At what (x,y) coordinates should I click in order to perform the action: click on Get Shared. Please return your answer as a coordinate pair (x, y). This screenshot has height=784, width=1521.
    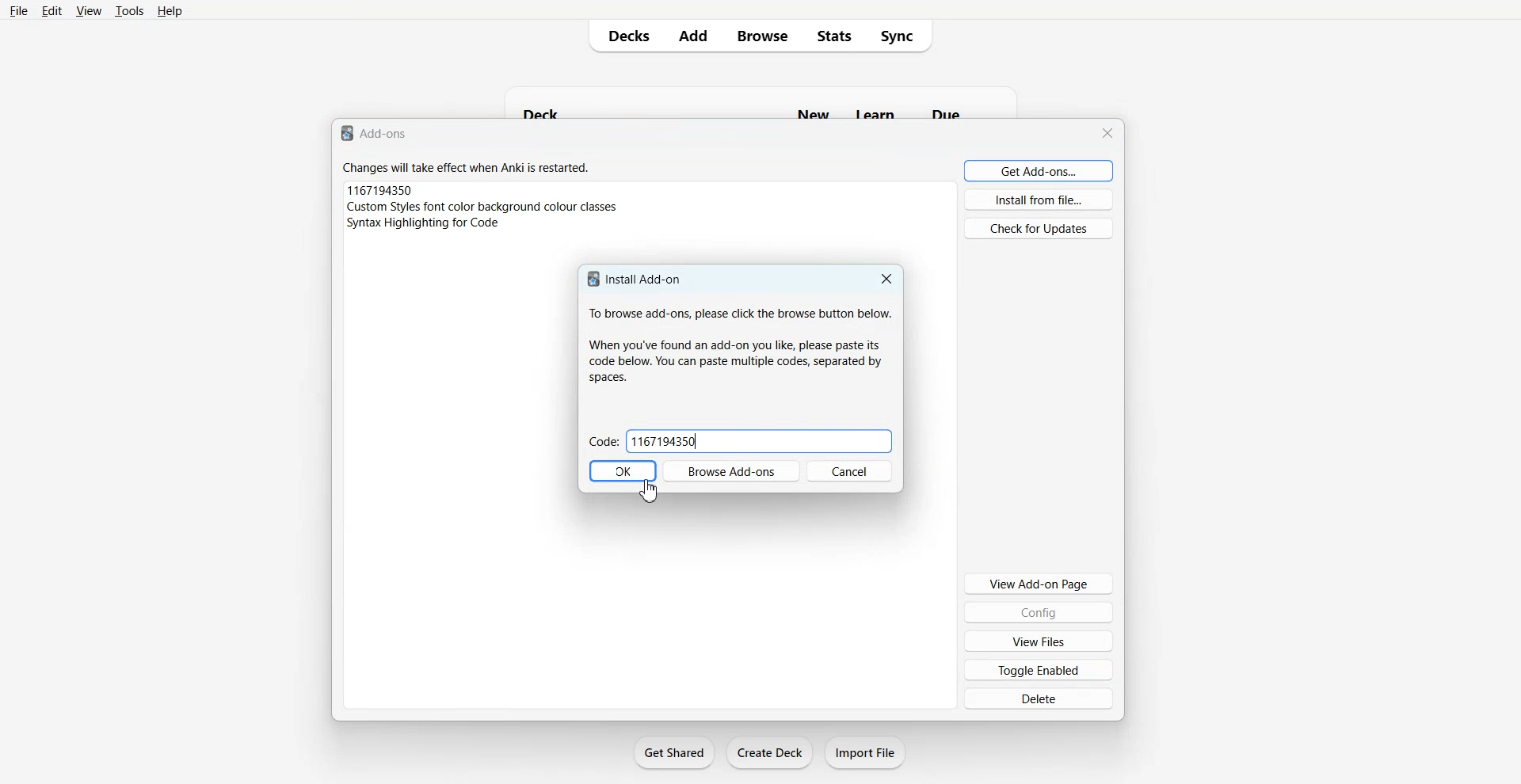
    Looking at the image, I should click on (674, 752).